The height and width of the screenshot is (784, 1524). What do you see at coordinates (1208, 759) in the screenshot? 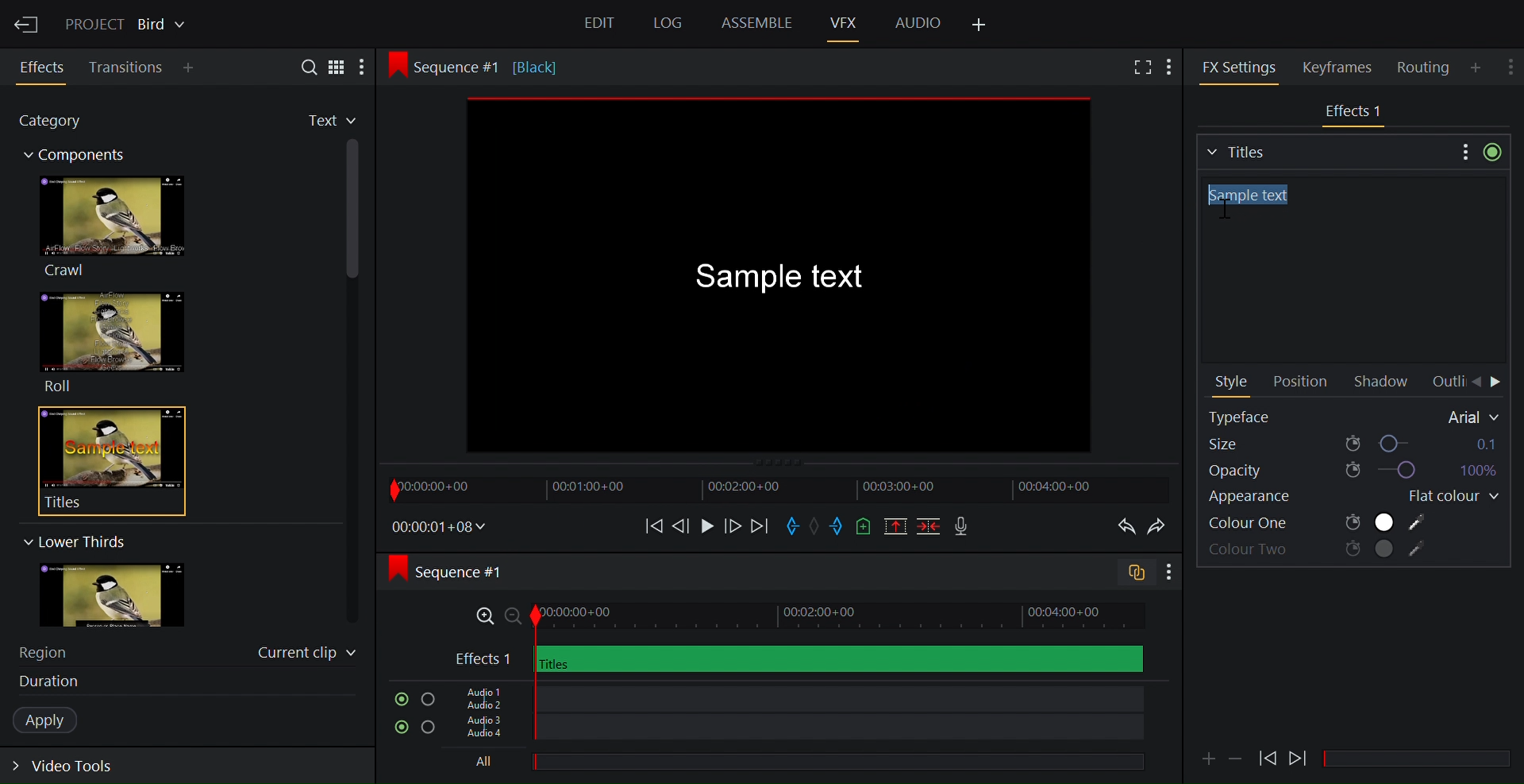
I see `Attachment` at bounding box center [1208, 759].